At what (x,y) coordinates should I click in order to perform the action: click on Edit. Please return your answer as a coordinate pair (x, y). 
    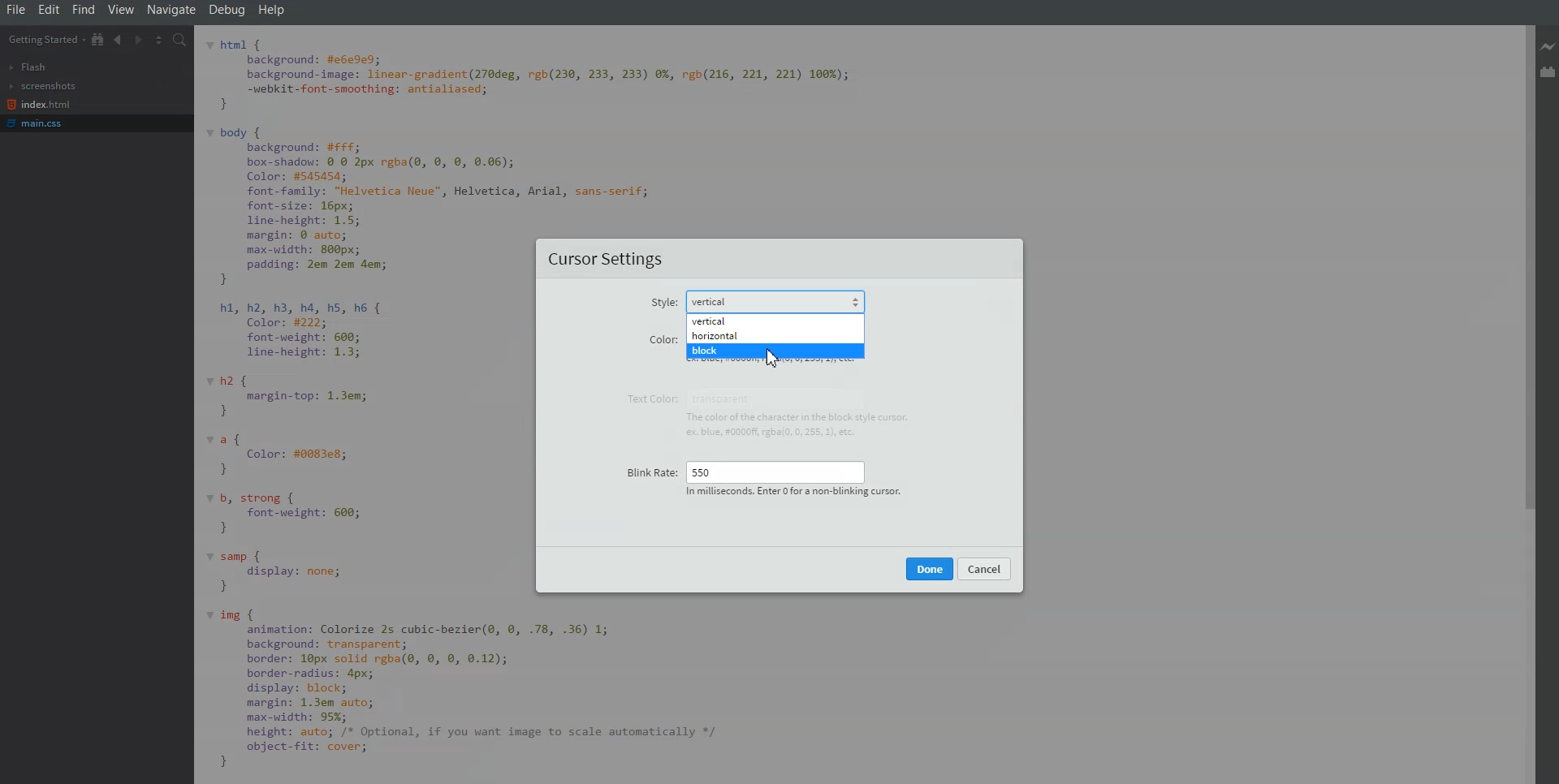
    Looking at the image, I should click on (50, 10).